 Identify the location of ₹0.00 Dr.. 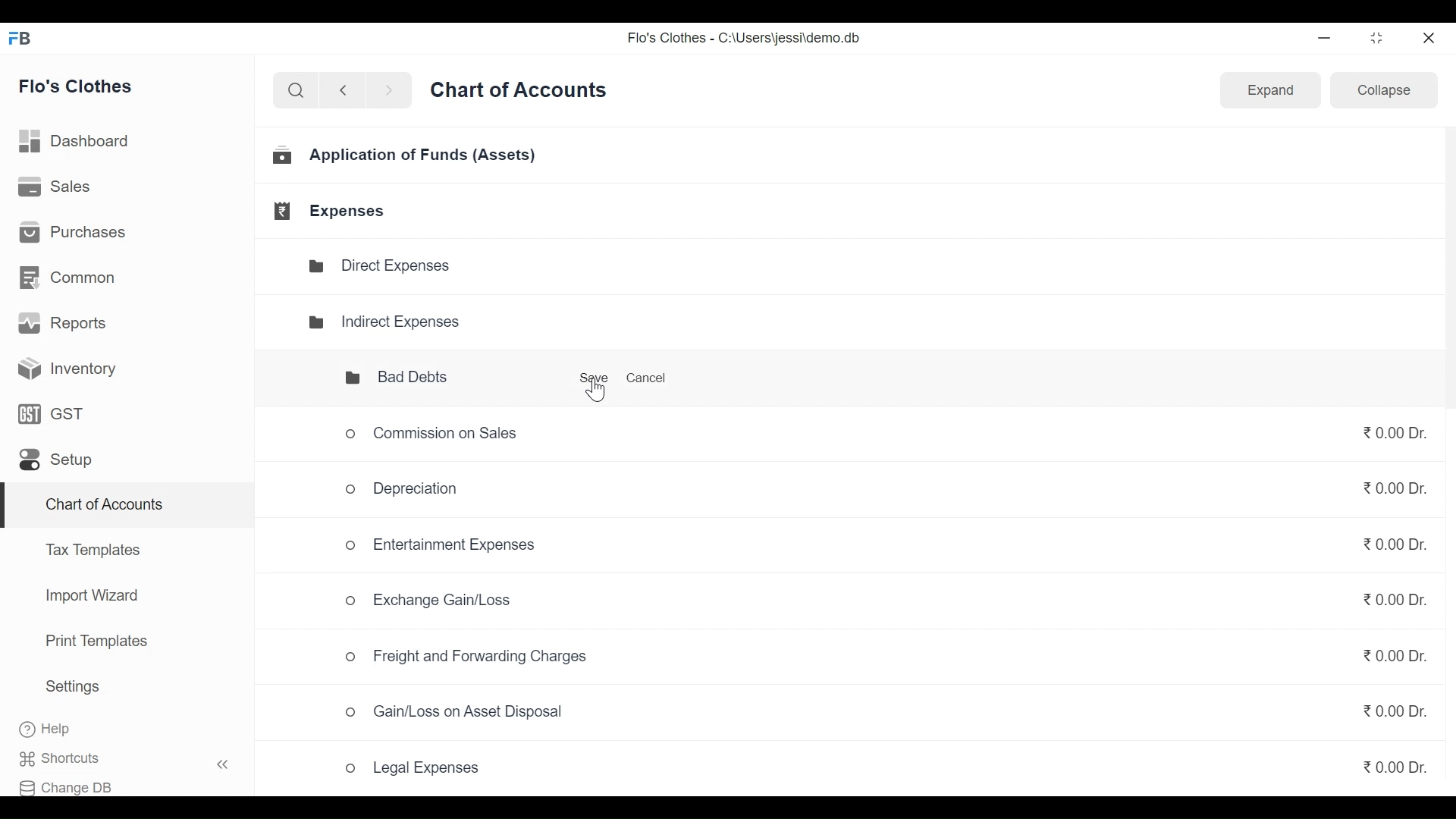
(1393, 657).